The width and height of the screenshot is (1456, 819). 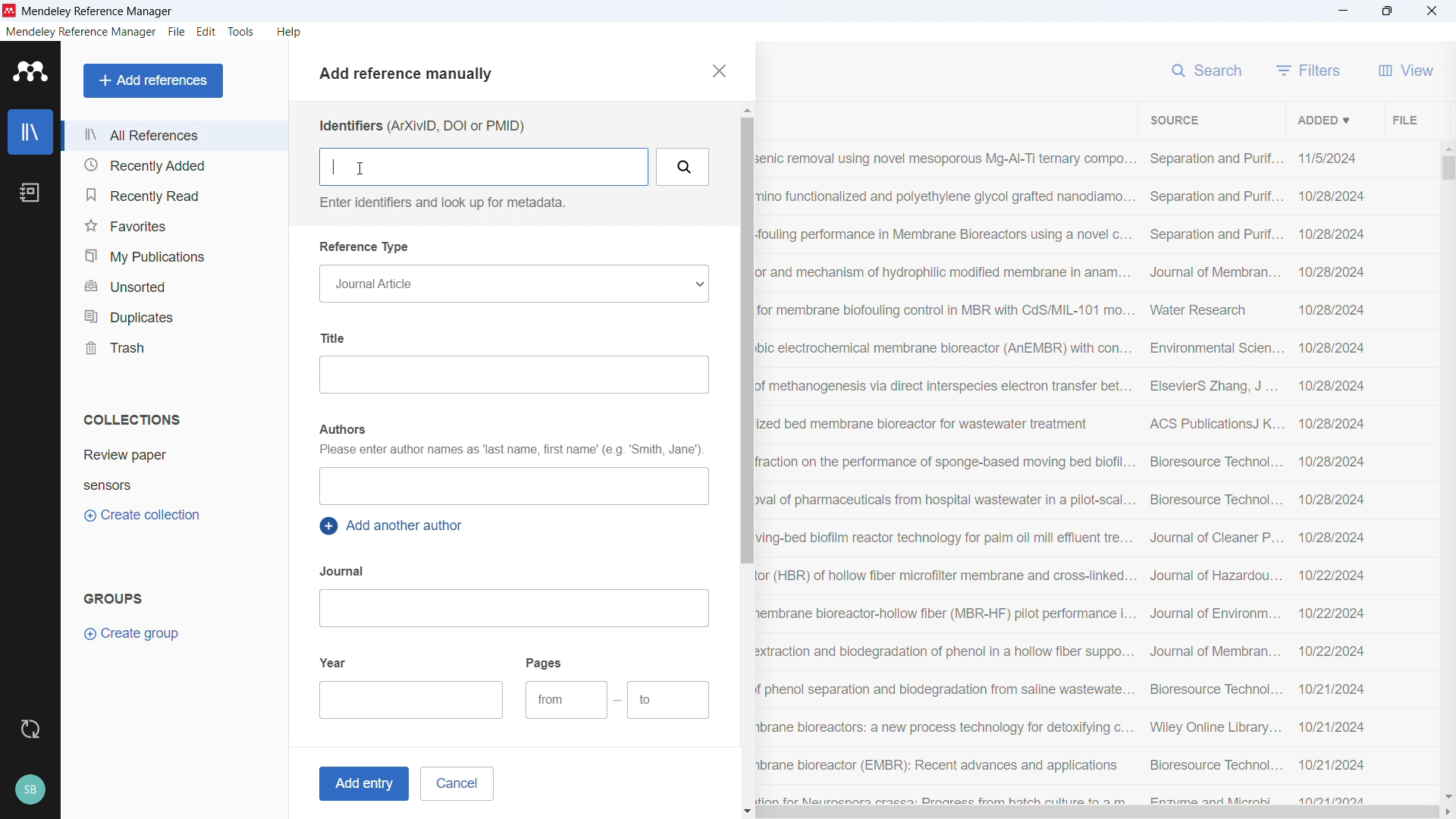 I want to click on Unsorted , so click(x=174, y=284).